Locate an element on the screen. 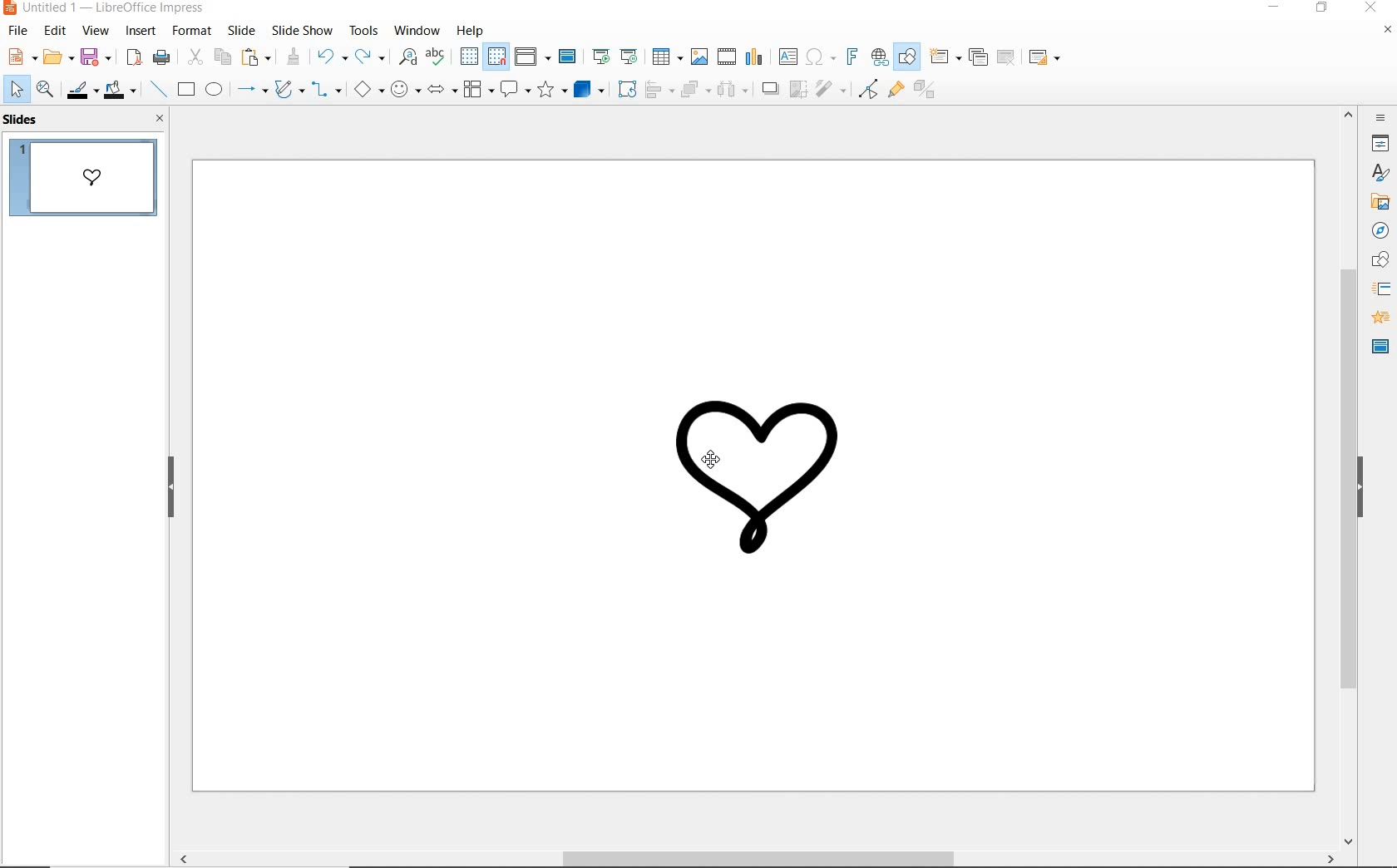  SLIDE 1 is located at coordinates (88, 180).